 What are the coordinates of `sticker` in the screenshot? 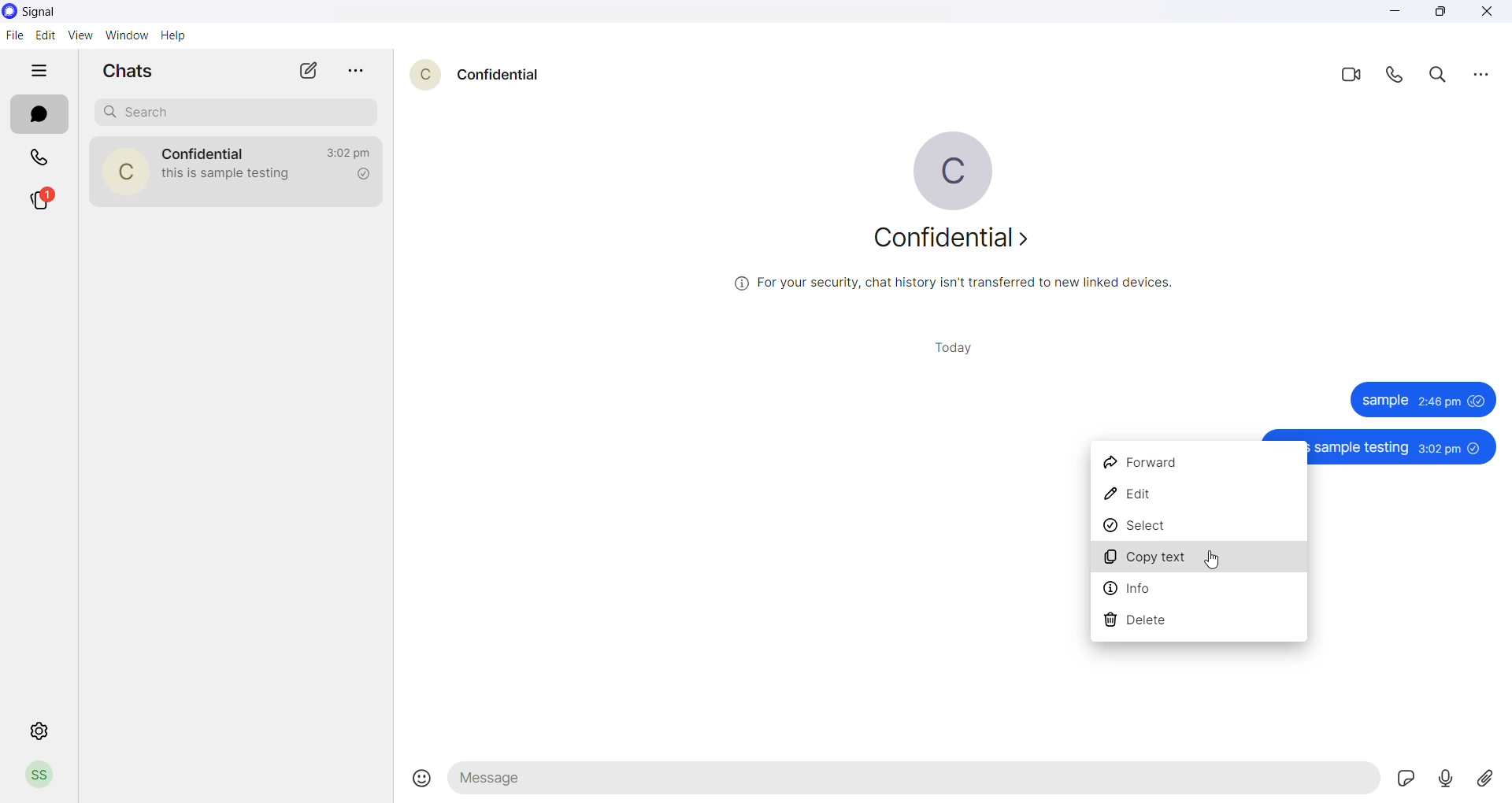 It's located at (1403, 779).